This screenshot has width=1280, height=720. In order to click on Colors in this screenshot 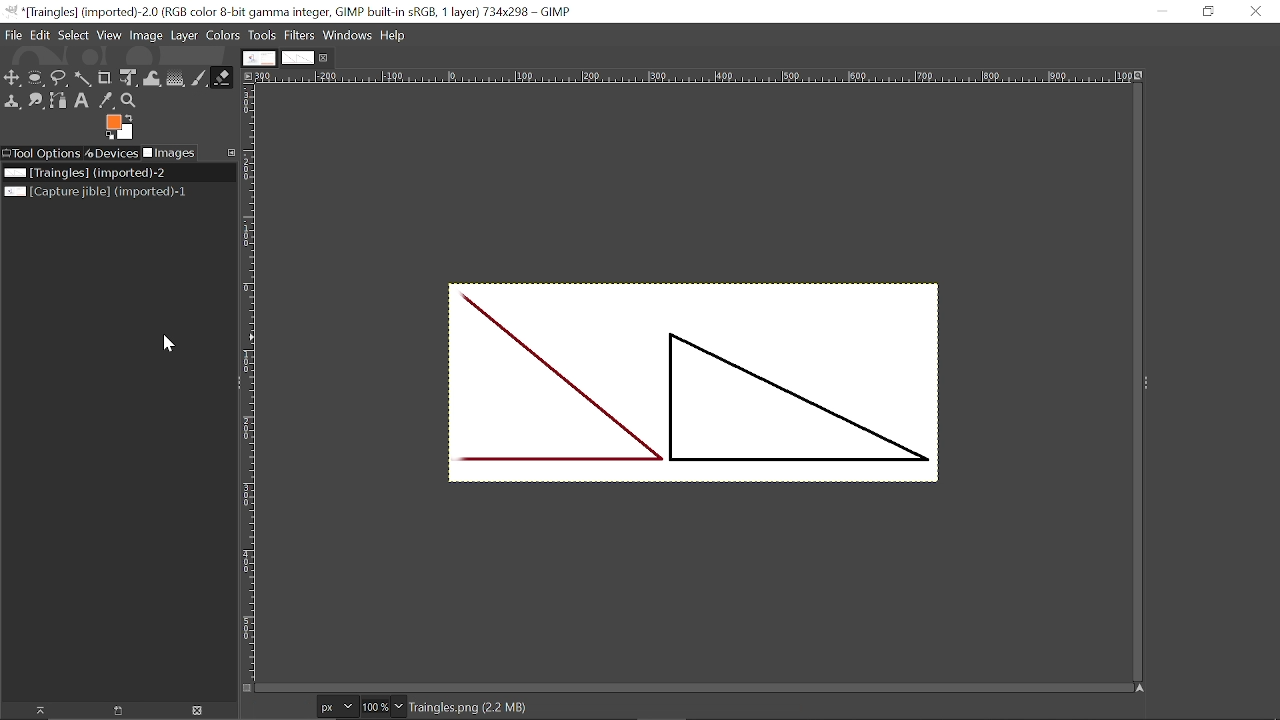, I will do `click(222, 35)`.